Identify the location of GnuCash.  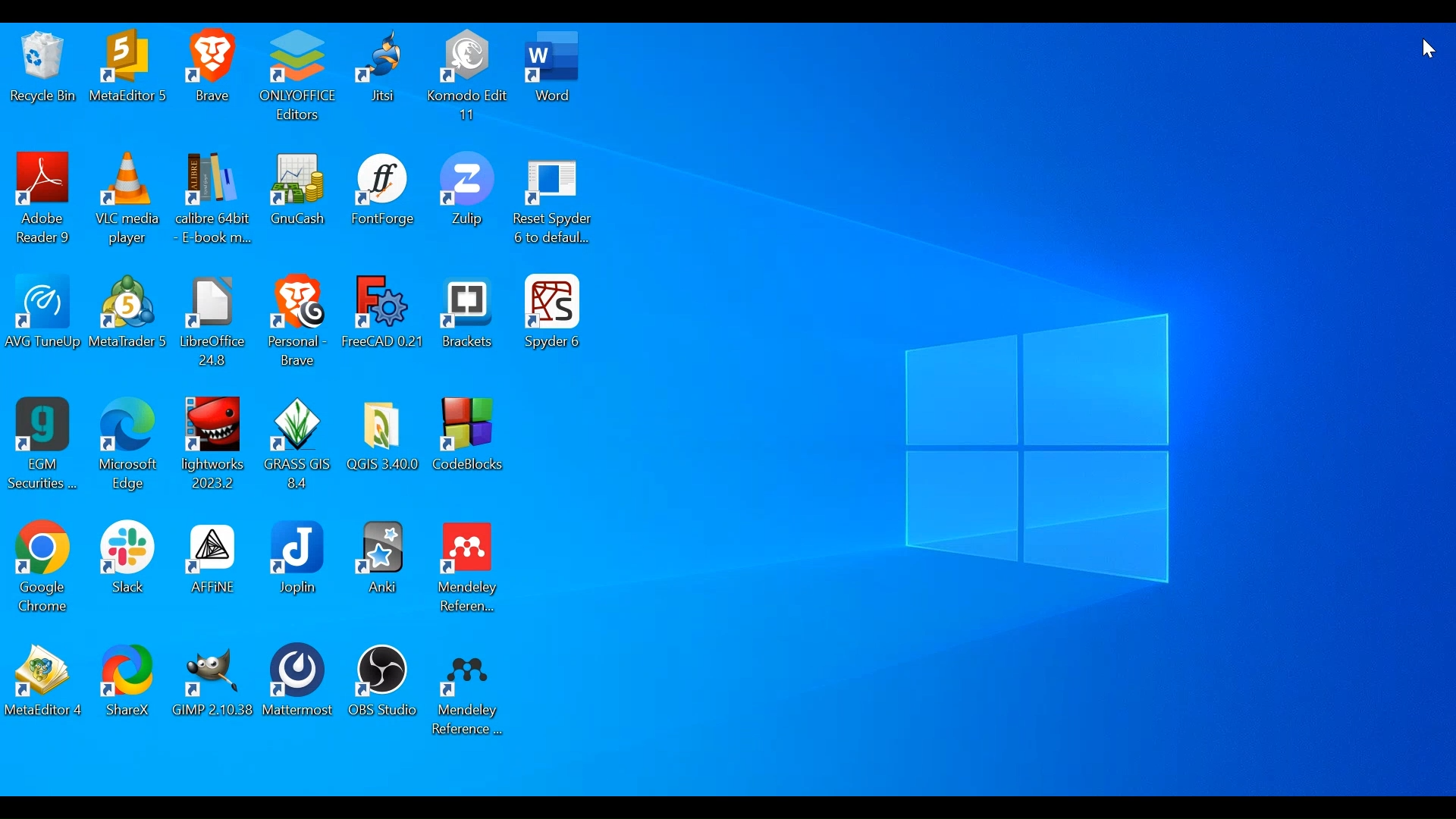
(298, 201).